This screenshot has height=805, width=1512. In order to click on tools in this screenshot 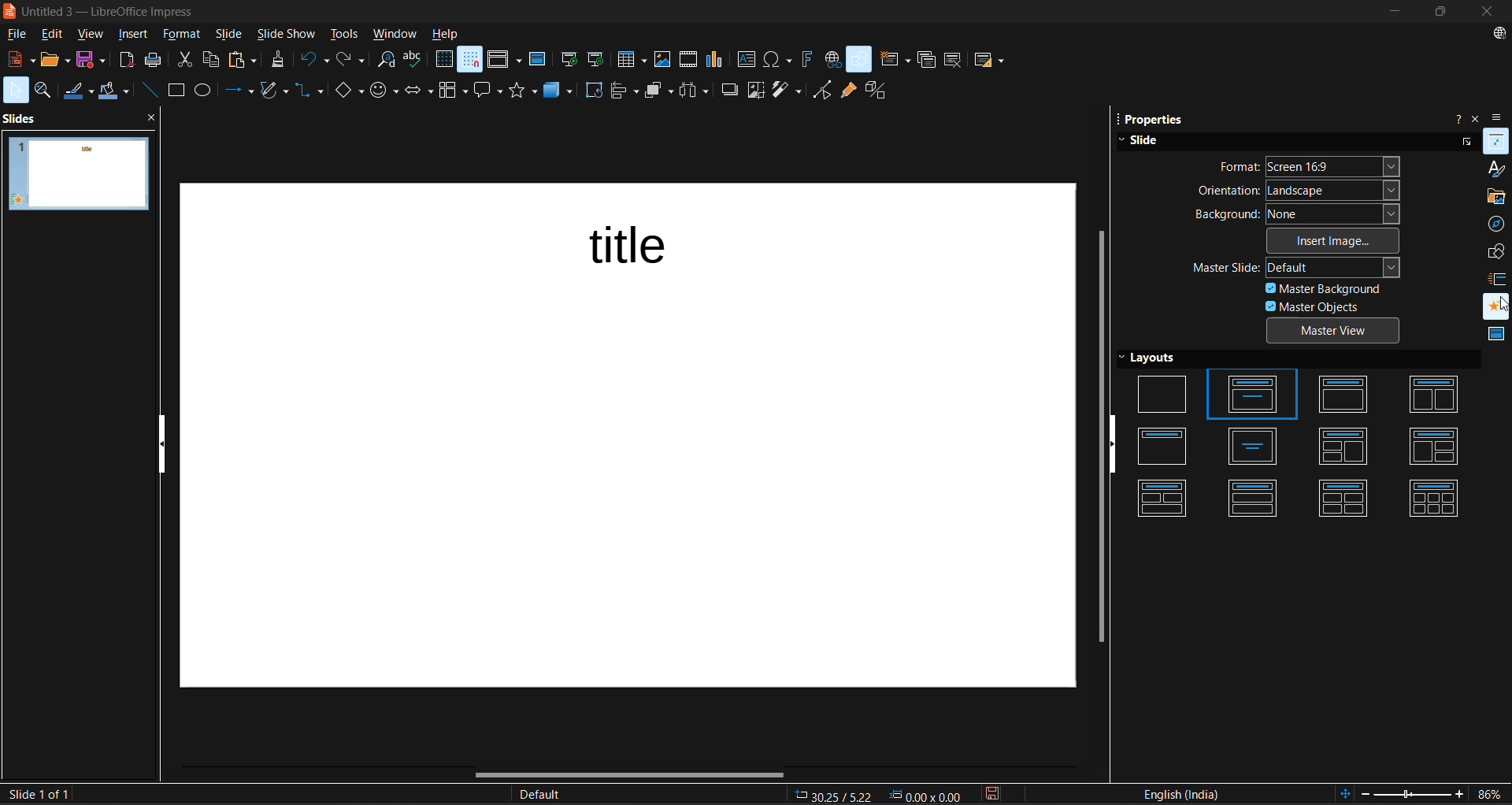, I will do `click(345, 36)`.